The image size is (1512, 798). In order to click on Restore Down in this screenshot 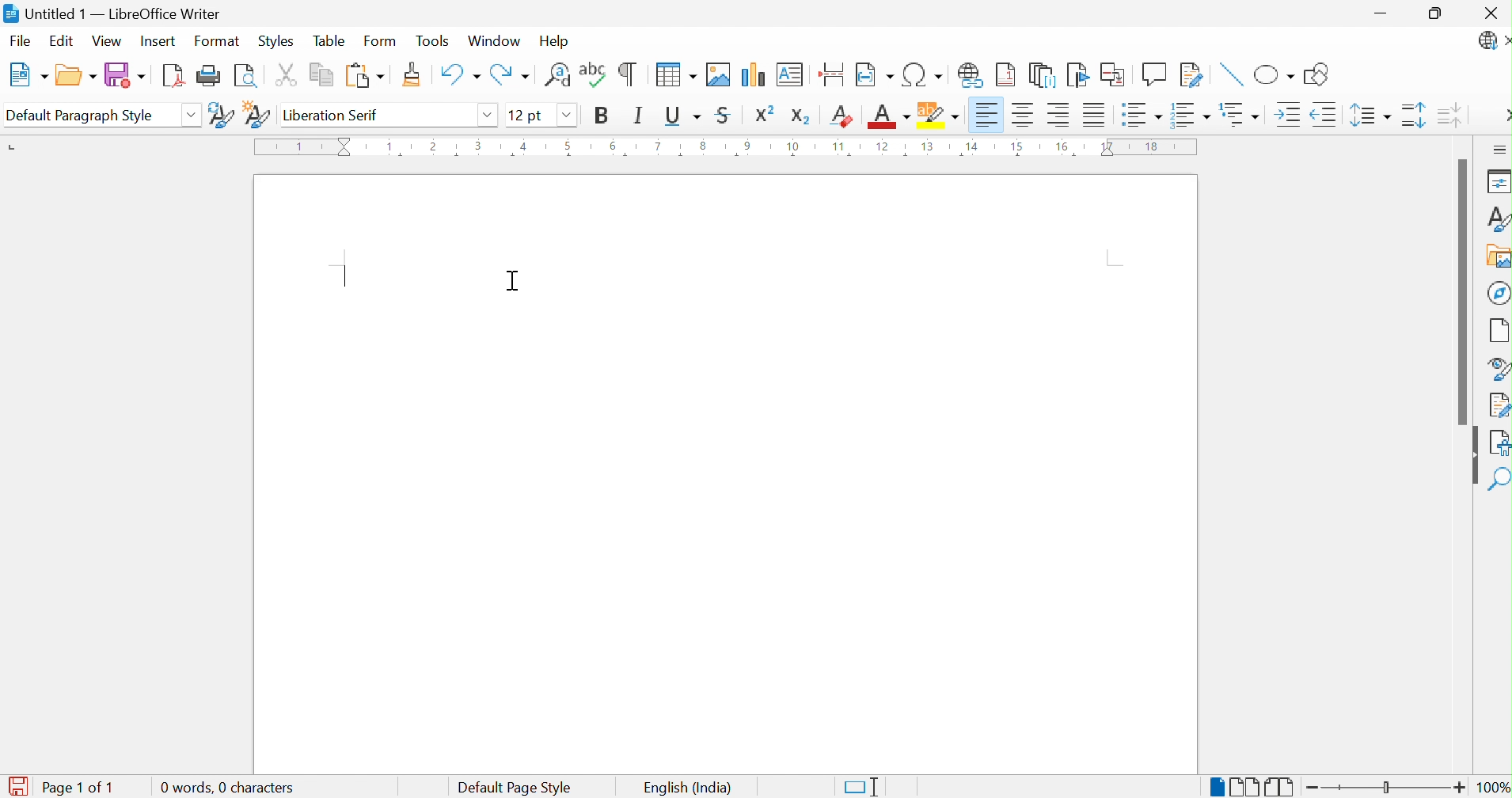, I will do `click(1437, 13)`.